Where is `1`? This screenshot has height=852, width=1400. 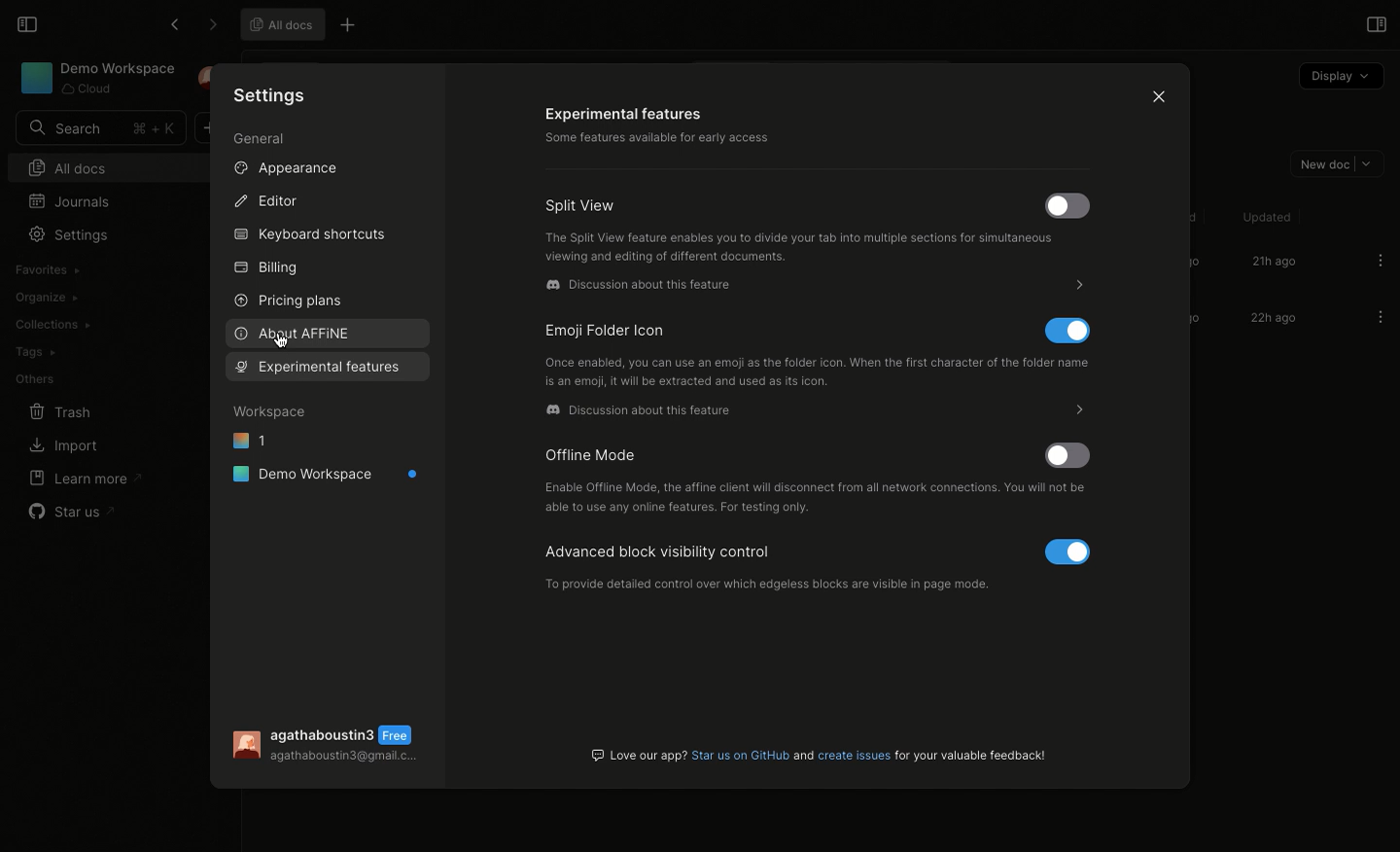
1 is located at coordinates (250, 439).